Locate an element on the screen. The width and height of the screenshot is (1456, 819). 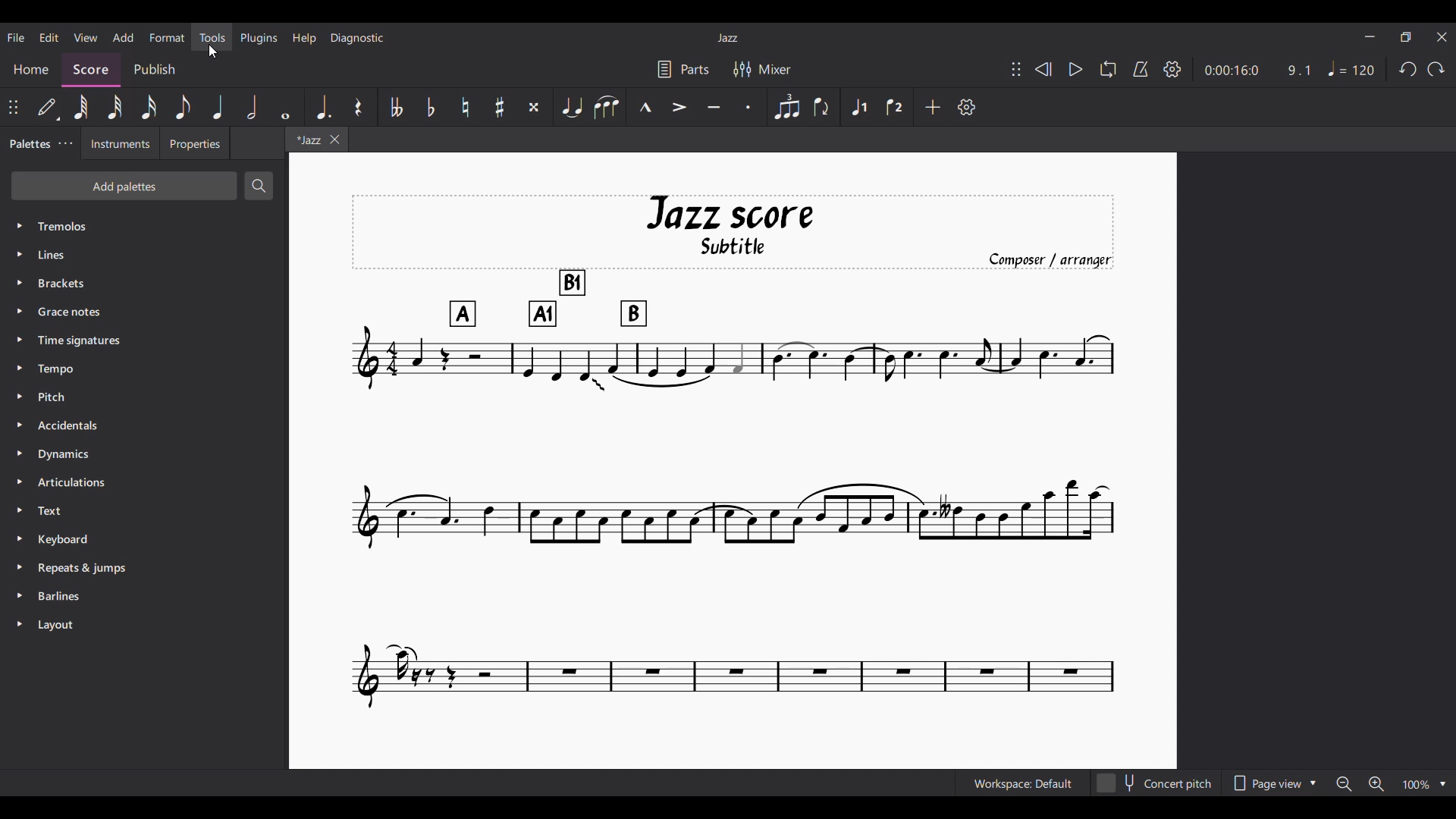
Palettes is located at coordinates (27, 144).